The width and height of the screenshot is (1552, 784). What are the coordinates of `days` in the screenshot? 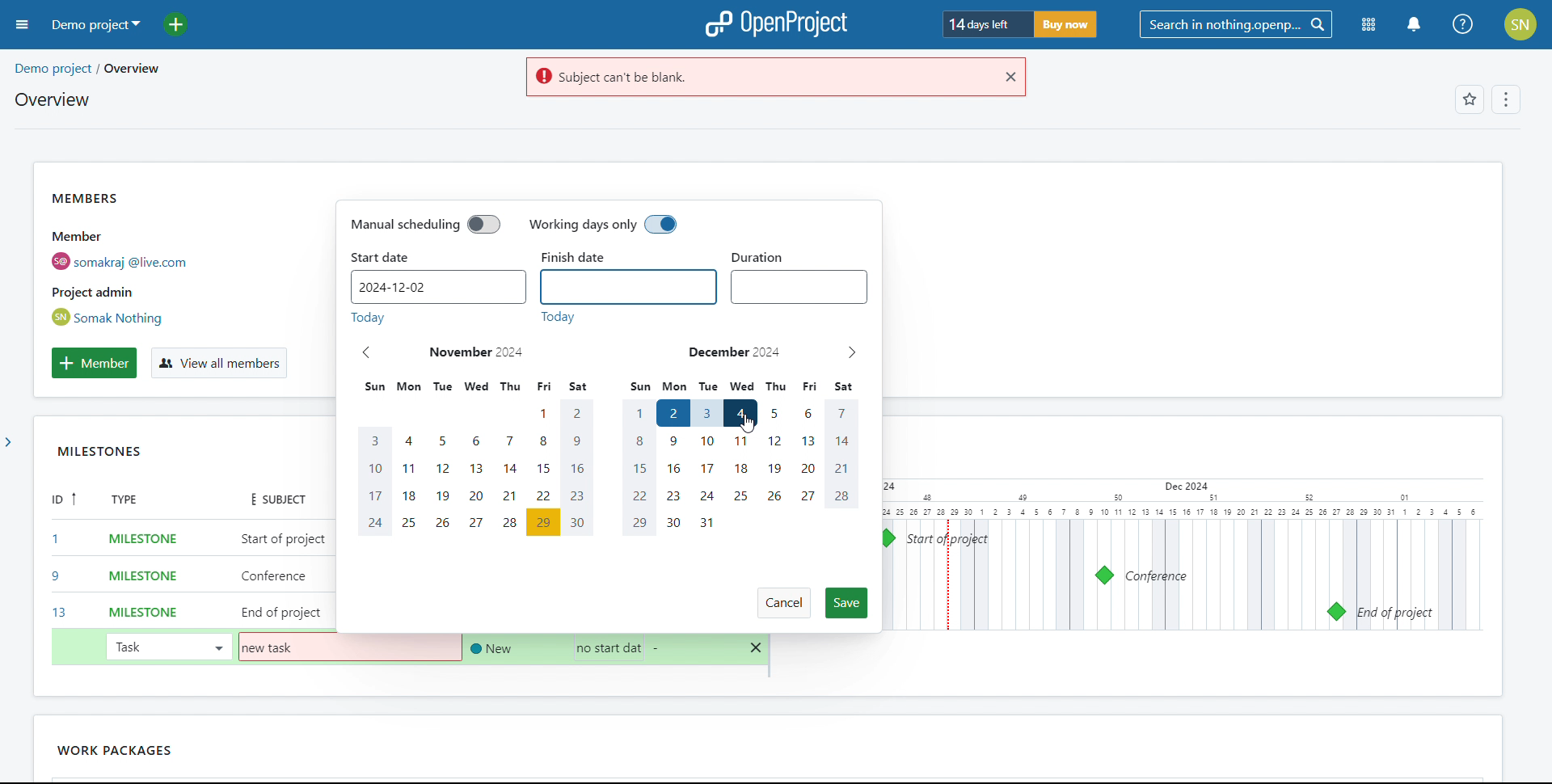 It's located at (606, 387).